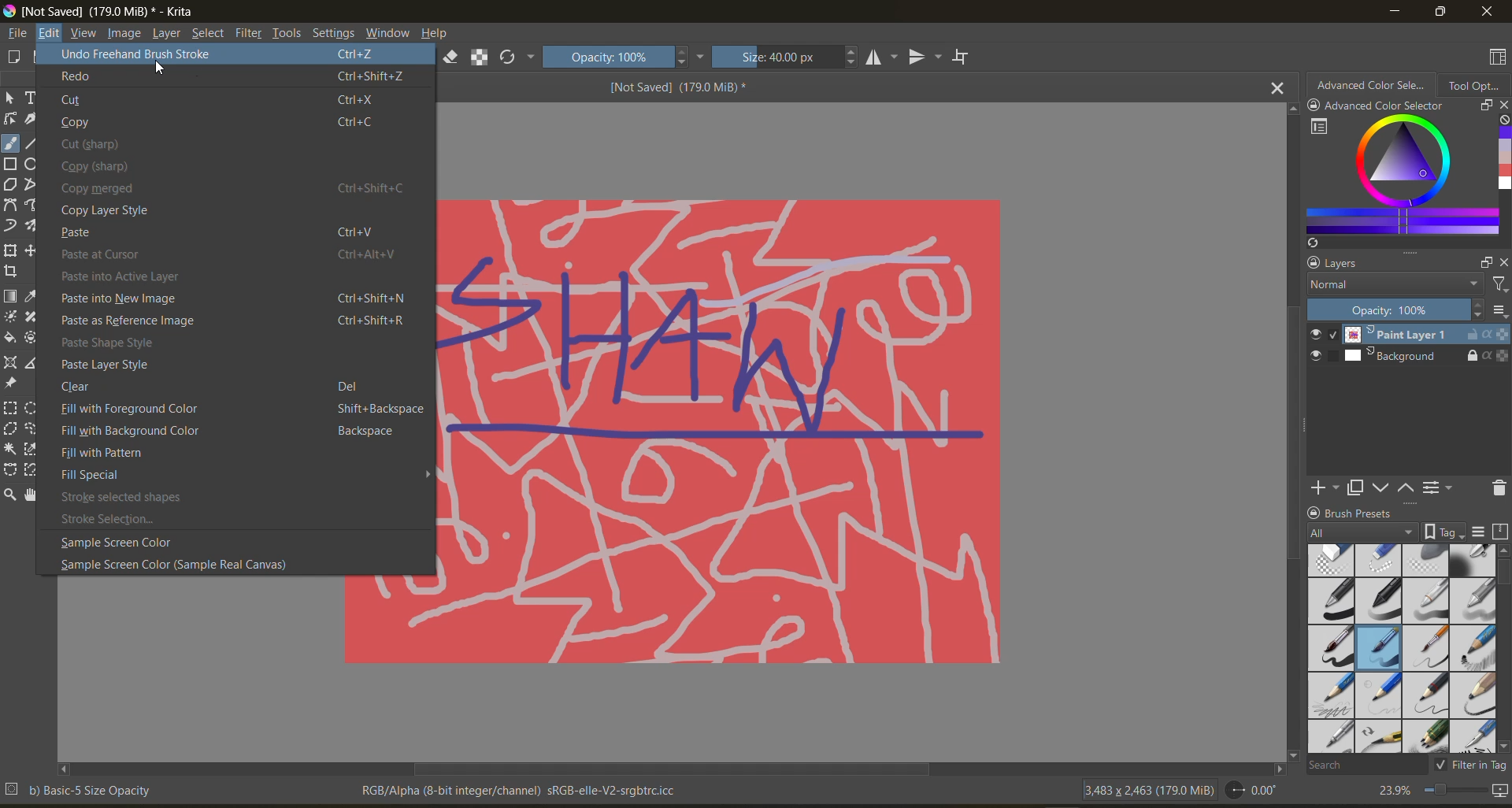 This screenshot has width=1512, height=808. Describe the element at coordinates (1503, 533) in the screenshot. I see `storage resources` at that location.